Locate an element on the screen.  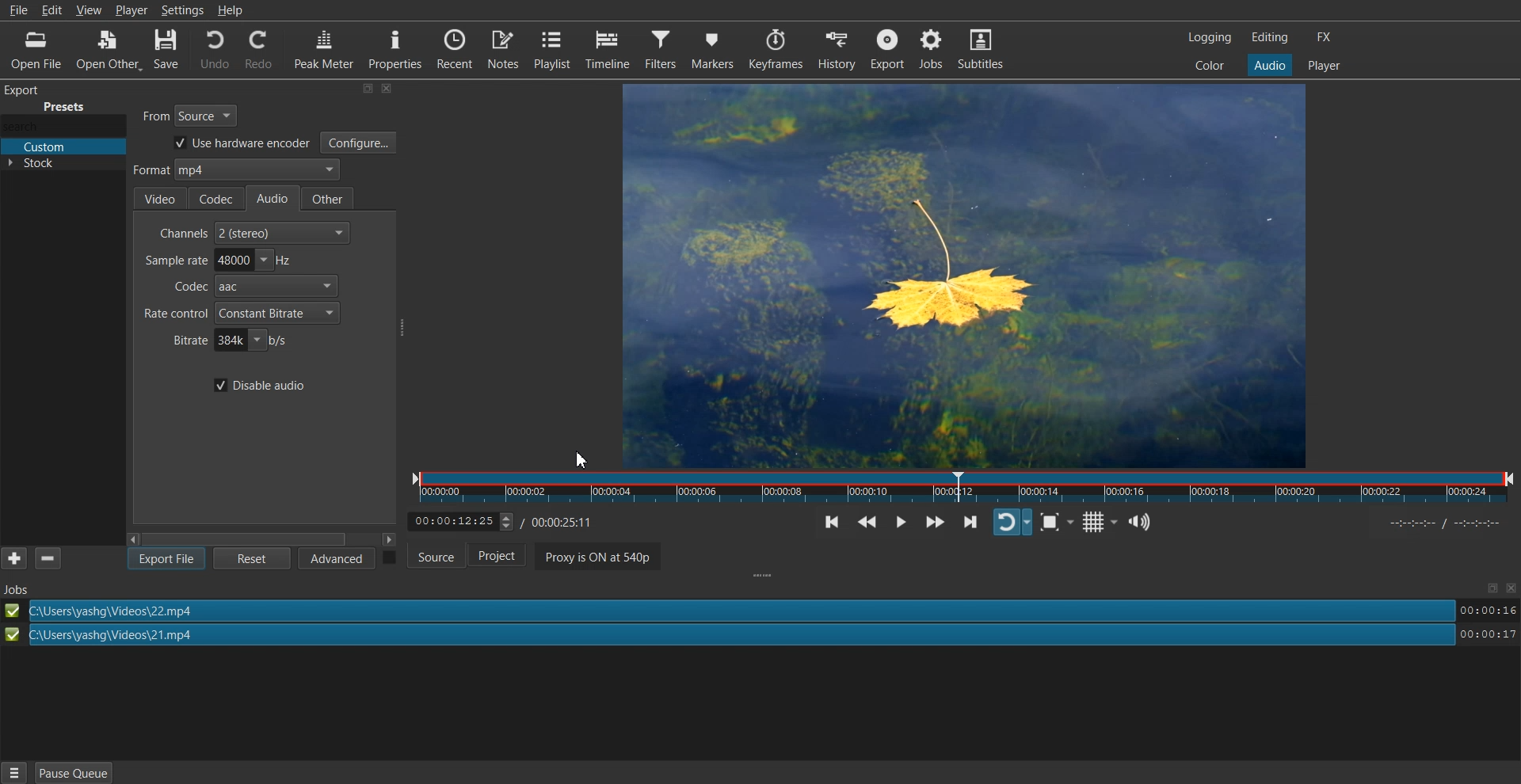
Disable audio is located at coordinates (258, 385).